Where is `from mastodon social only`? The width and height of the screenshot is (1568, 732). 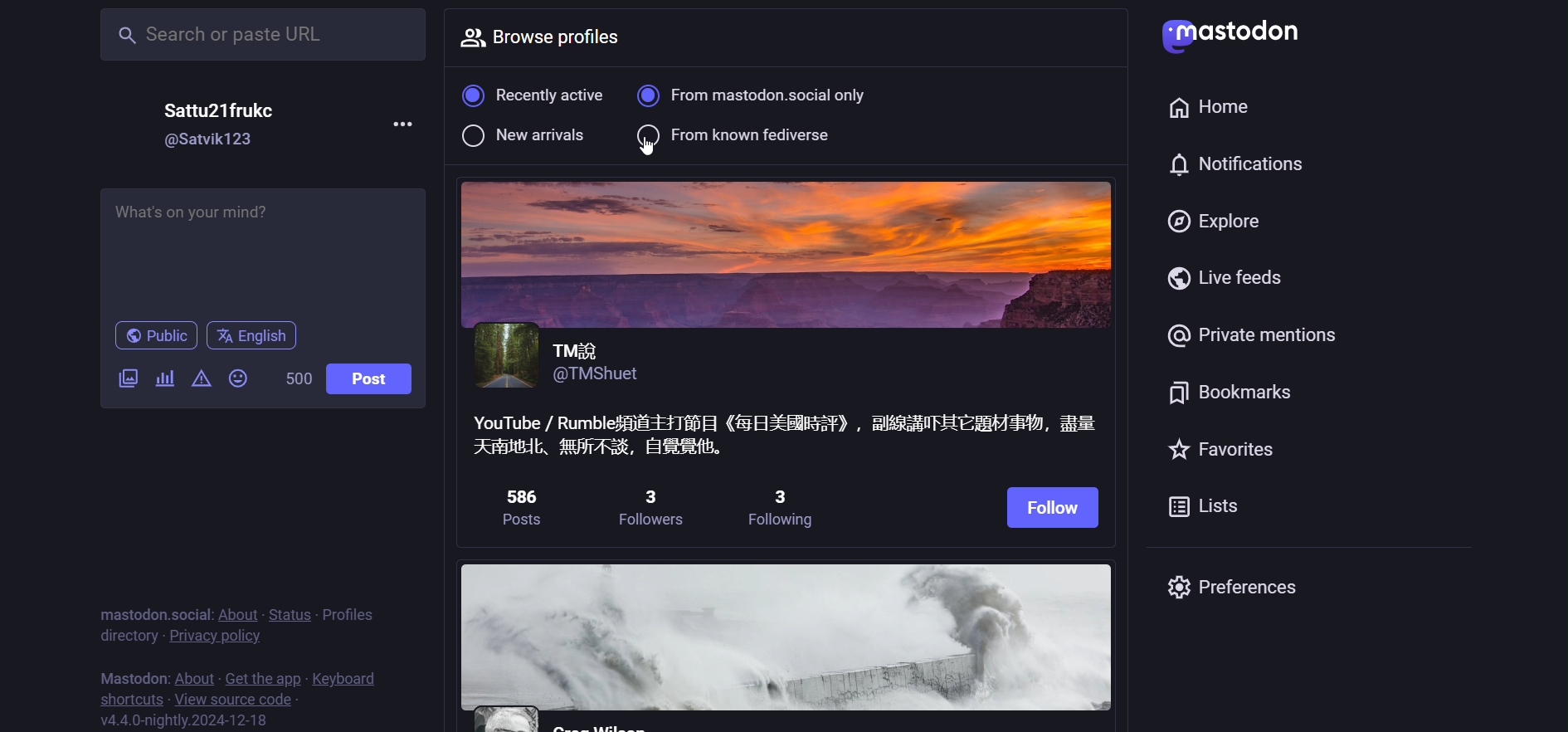 from mastodon social only is located at coordinates (753, 95).